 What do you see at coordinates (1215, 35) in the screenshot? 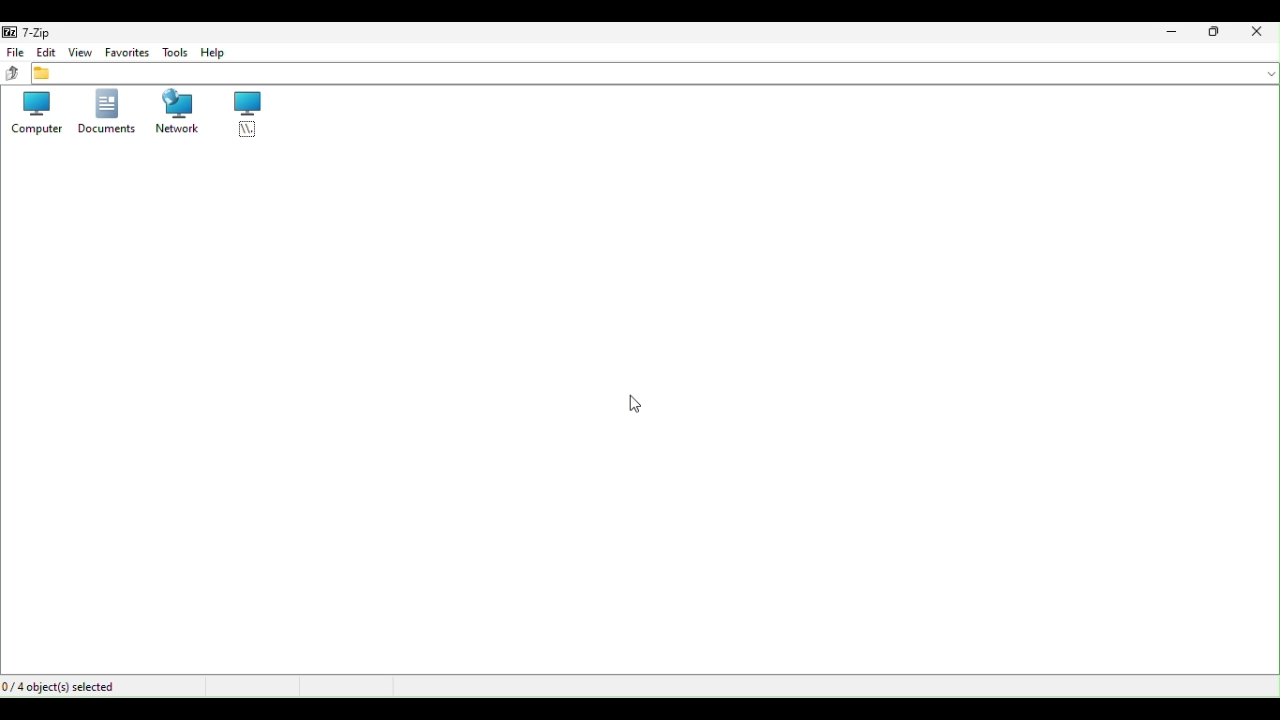
I see `Restore` at bounding box center [1215, 35].